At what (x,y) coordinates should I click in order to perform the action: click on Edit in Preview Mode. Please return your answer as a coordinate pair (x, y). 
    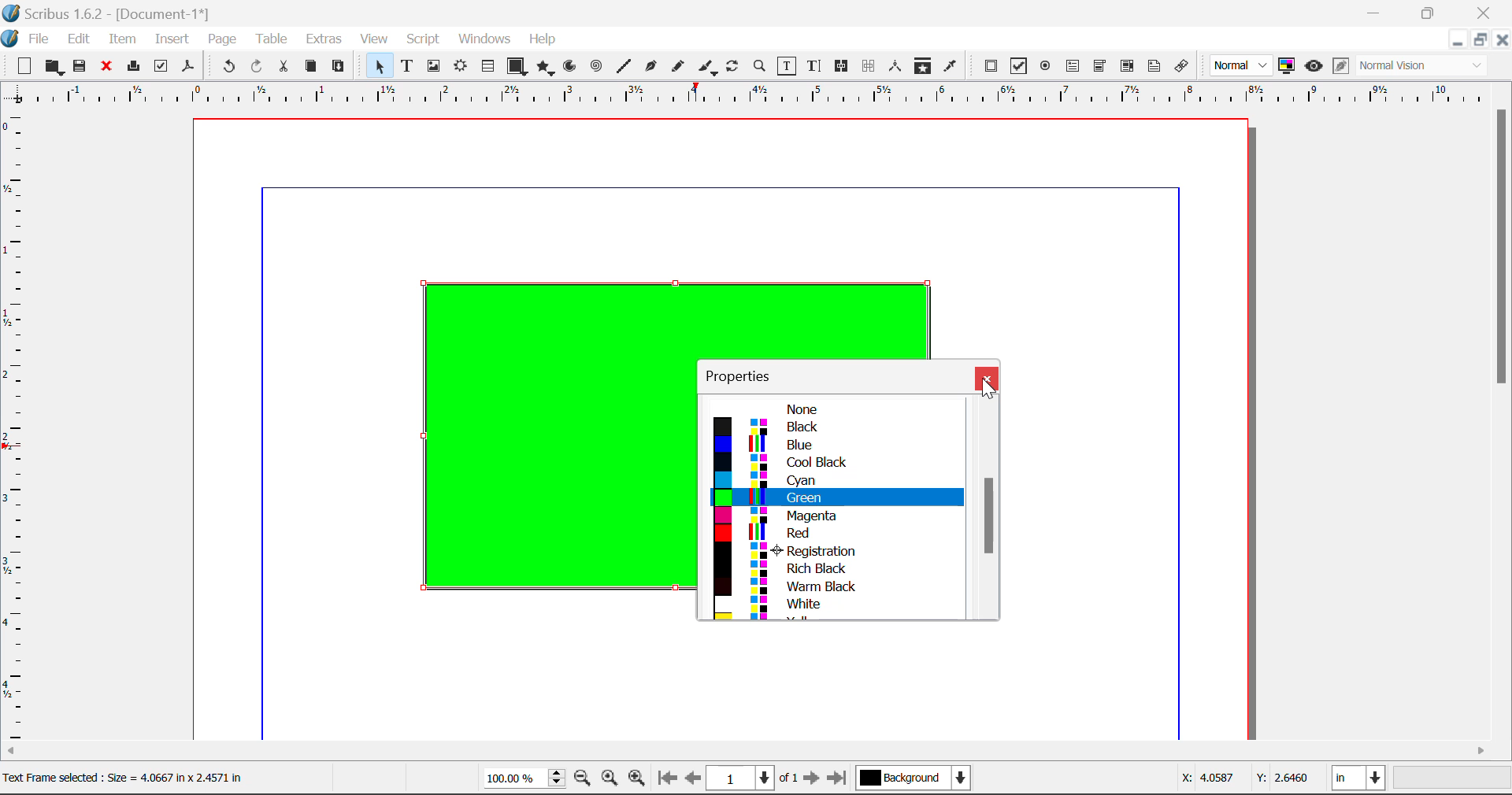
    Looking at the image, I should click on (1340, 68).